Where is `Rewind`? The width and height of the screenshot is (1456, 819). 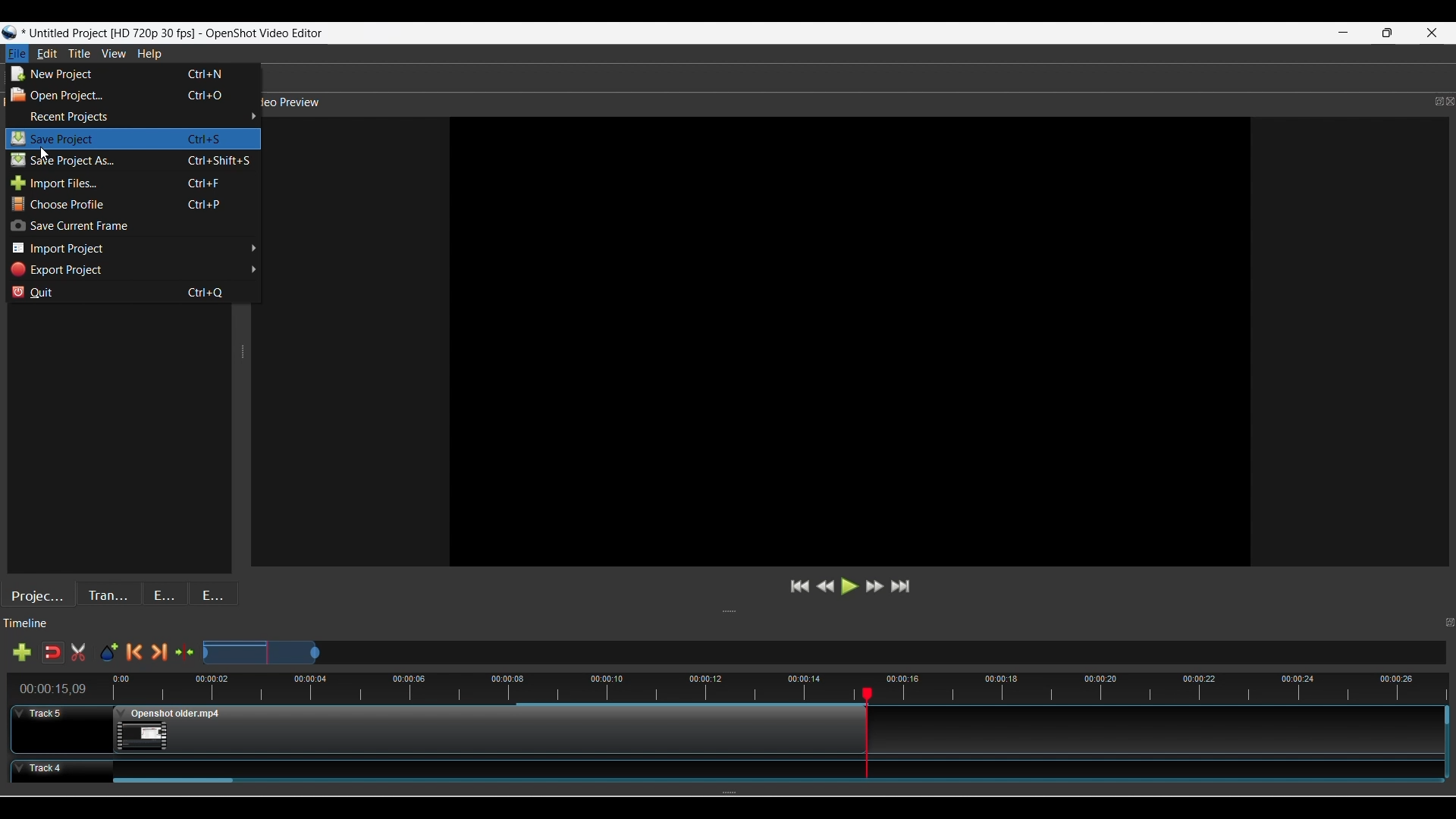
Rewind is located at coordinates (826, 586).